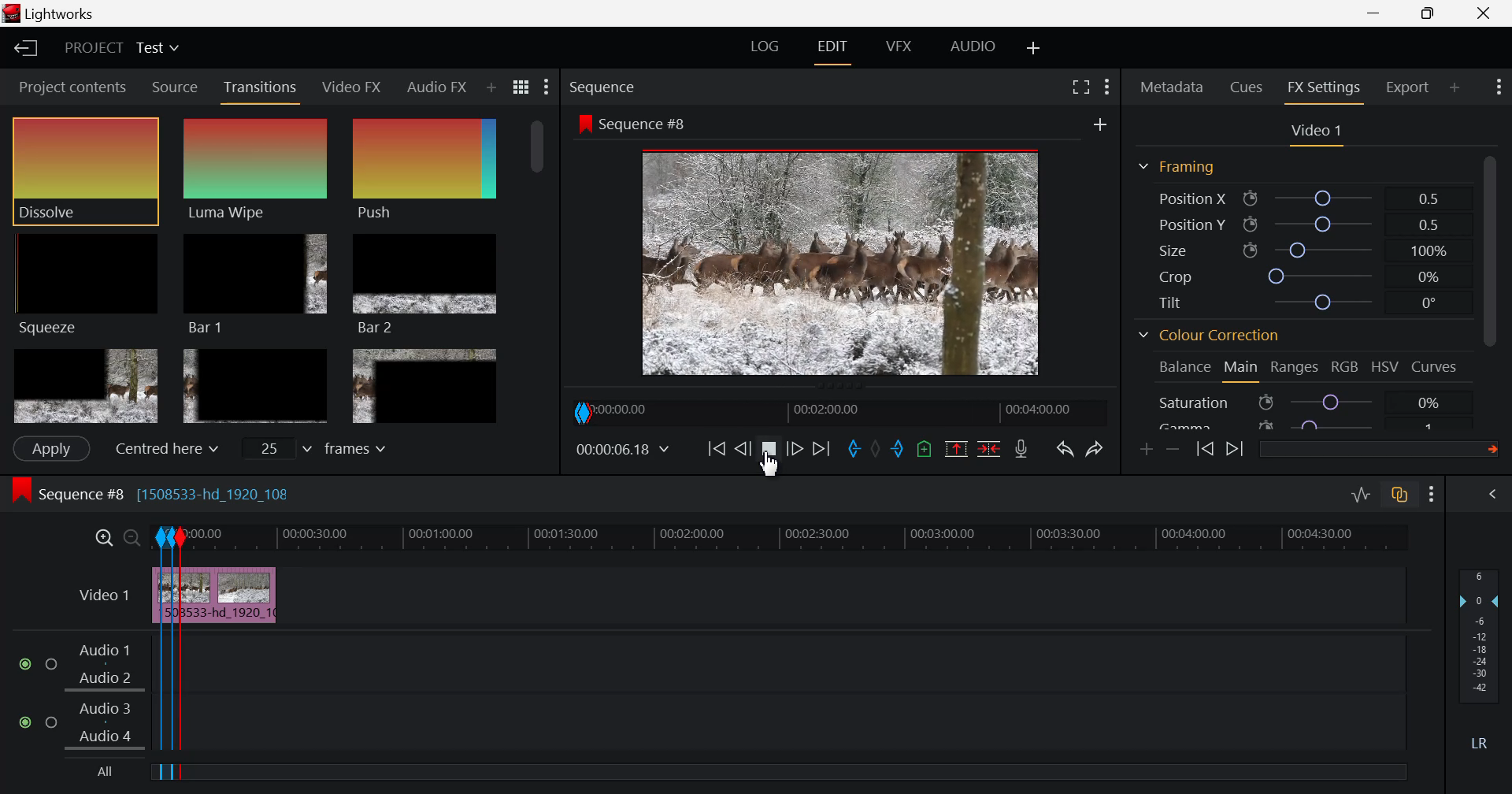  Describe the element at coordinates (84, 387) in the screenshot. I see `Box 4` at that location.